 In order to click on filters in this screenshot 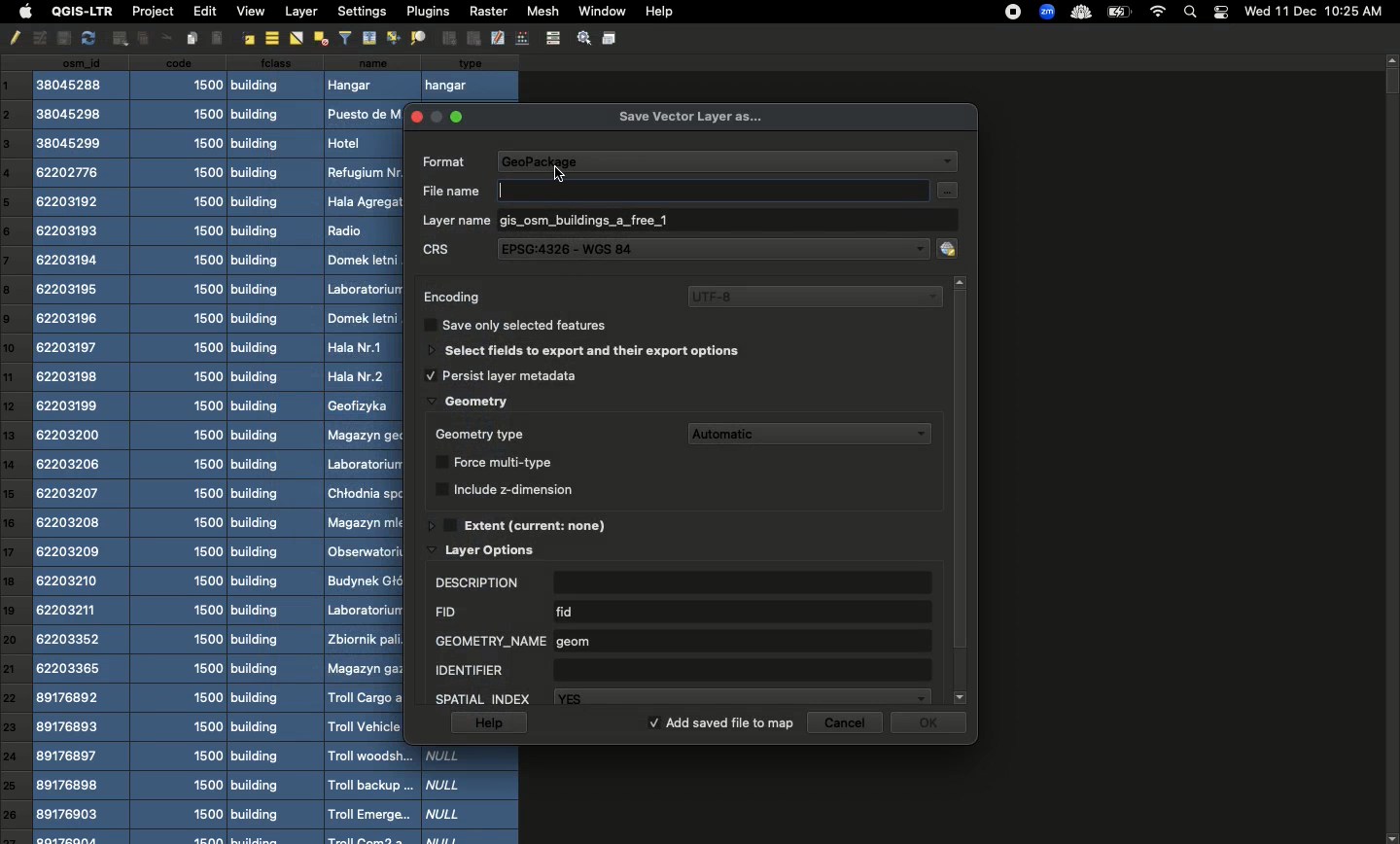, I will do `click(345, 36)`.